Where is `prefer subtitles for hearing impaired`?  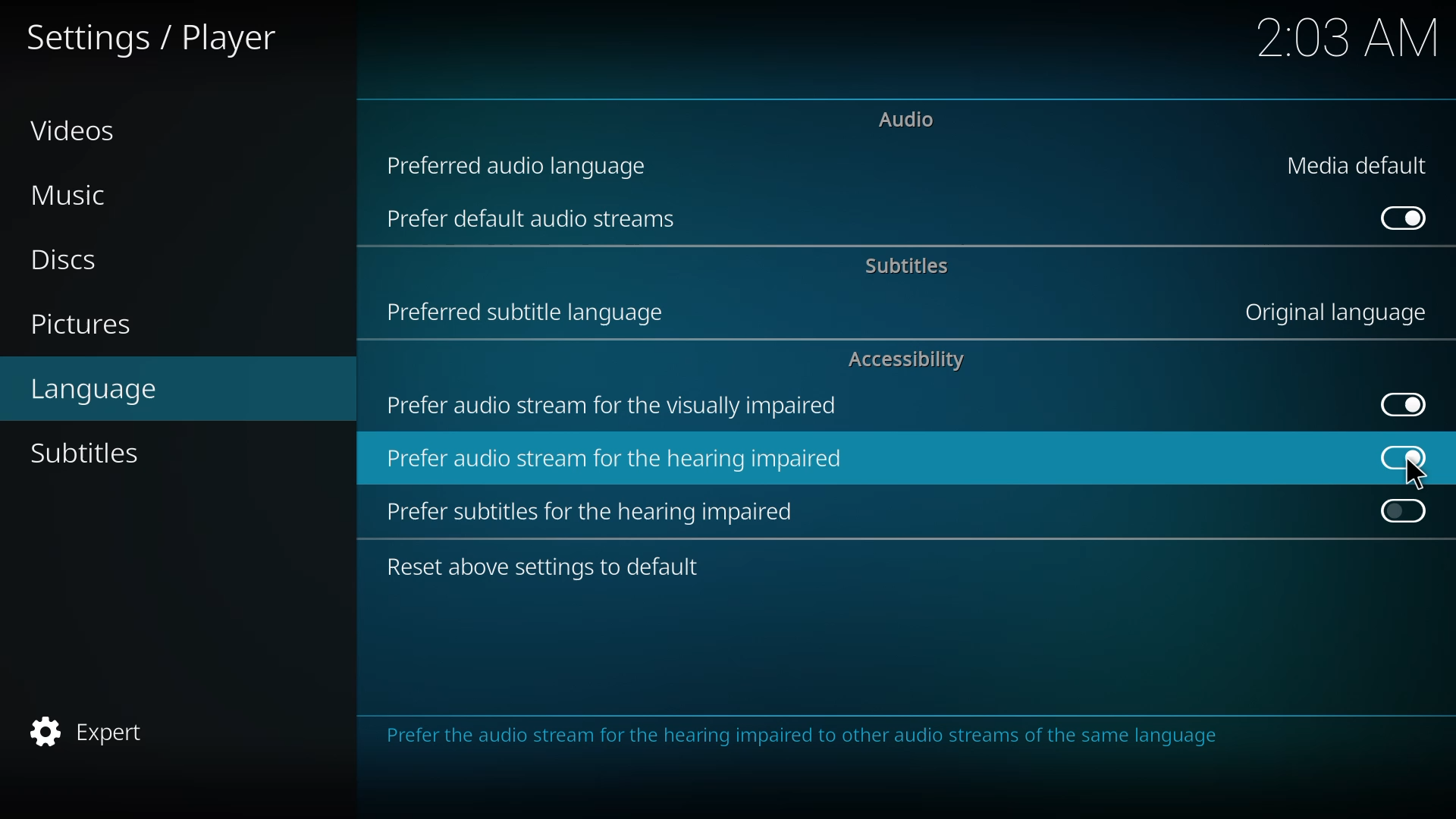 prefer subtitles for hearing impaired is located at coordinates (597, 510).